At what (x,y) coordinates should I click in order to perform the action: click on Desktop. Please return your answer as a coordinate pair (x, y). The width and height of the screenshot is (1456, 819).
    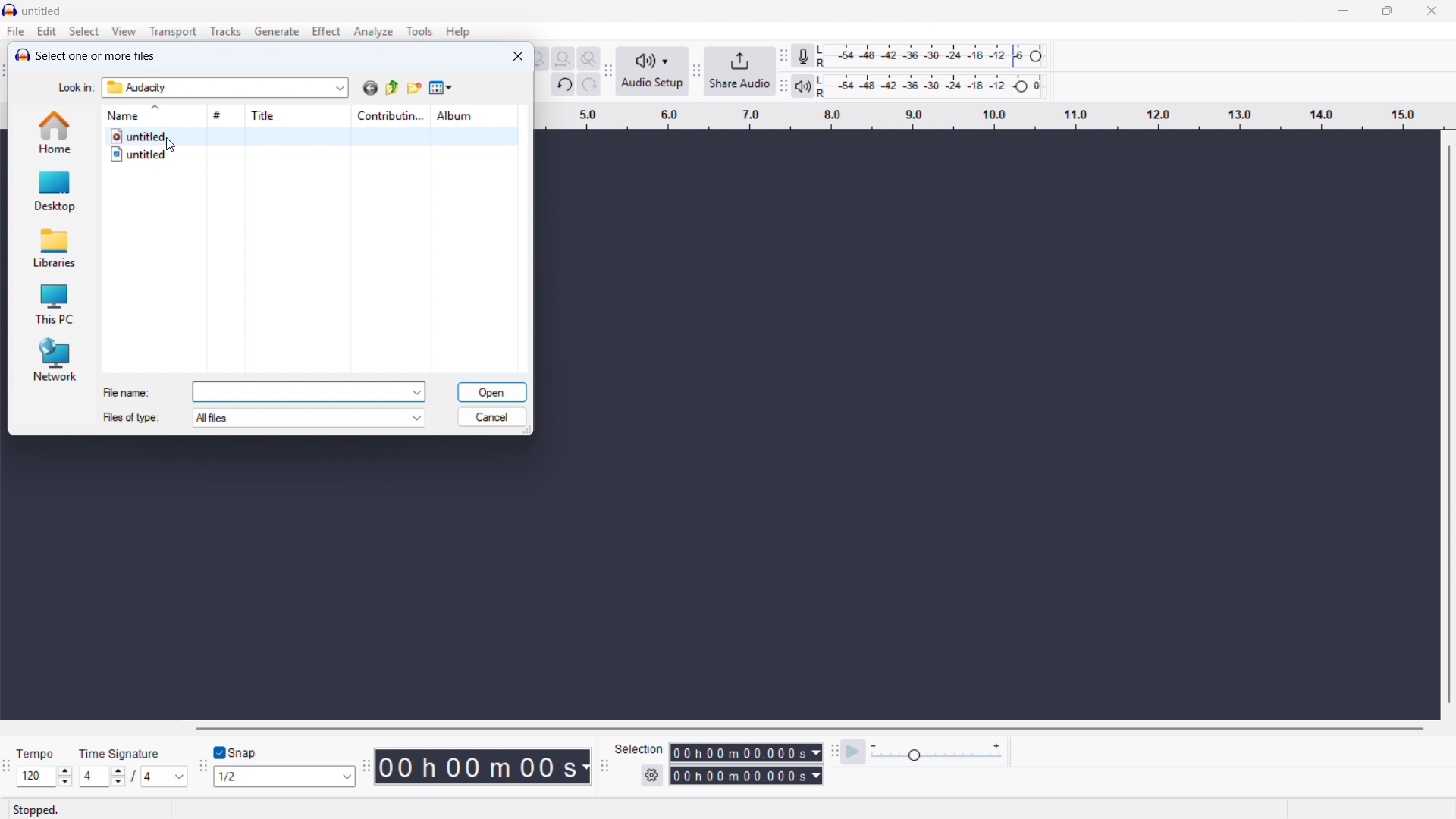
    Looking at the image, I should click on (54, 190).